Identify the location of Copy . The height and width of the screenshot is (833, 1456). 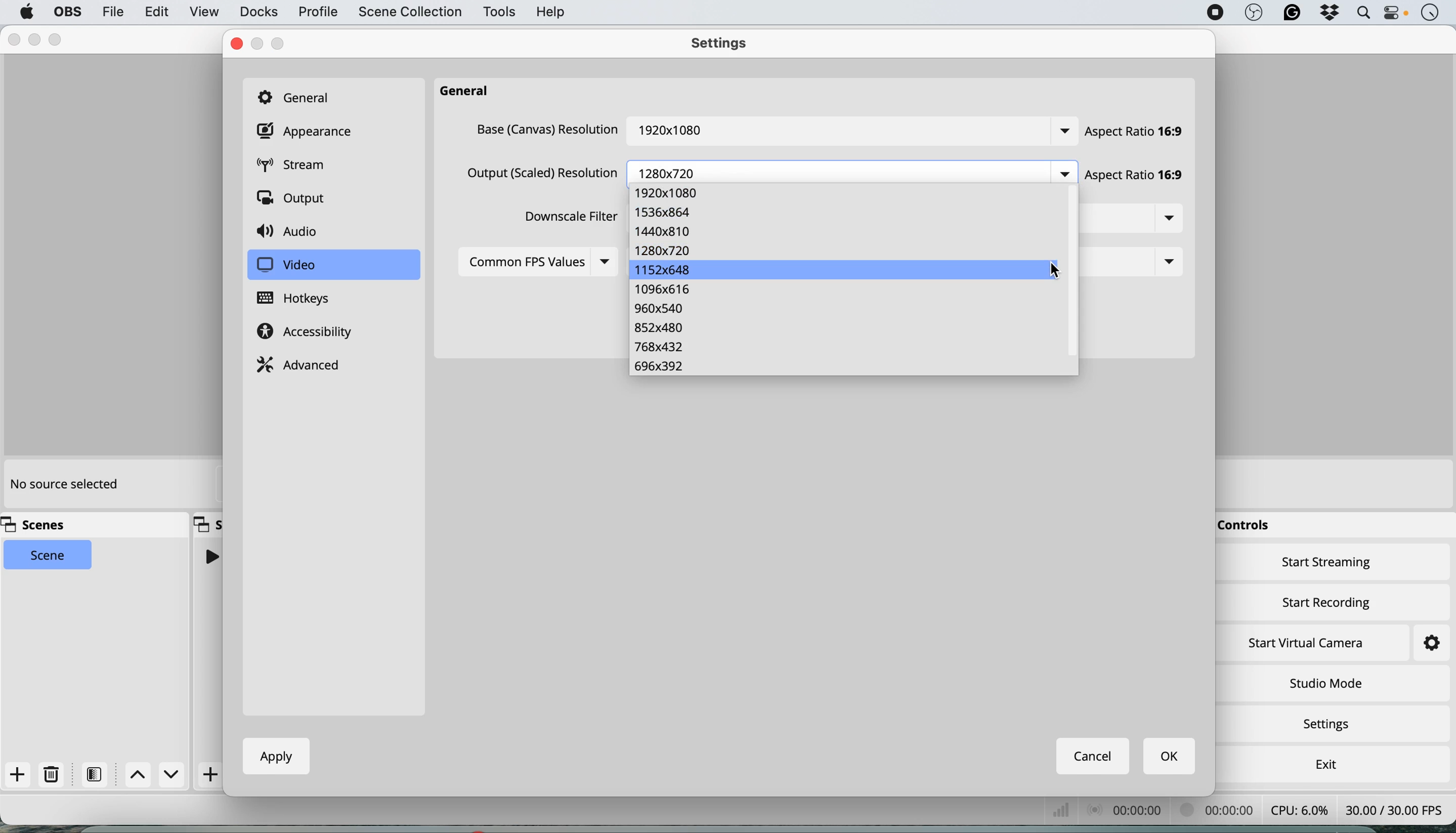
(208, 523).